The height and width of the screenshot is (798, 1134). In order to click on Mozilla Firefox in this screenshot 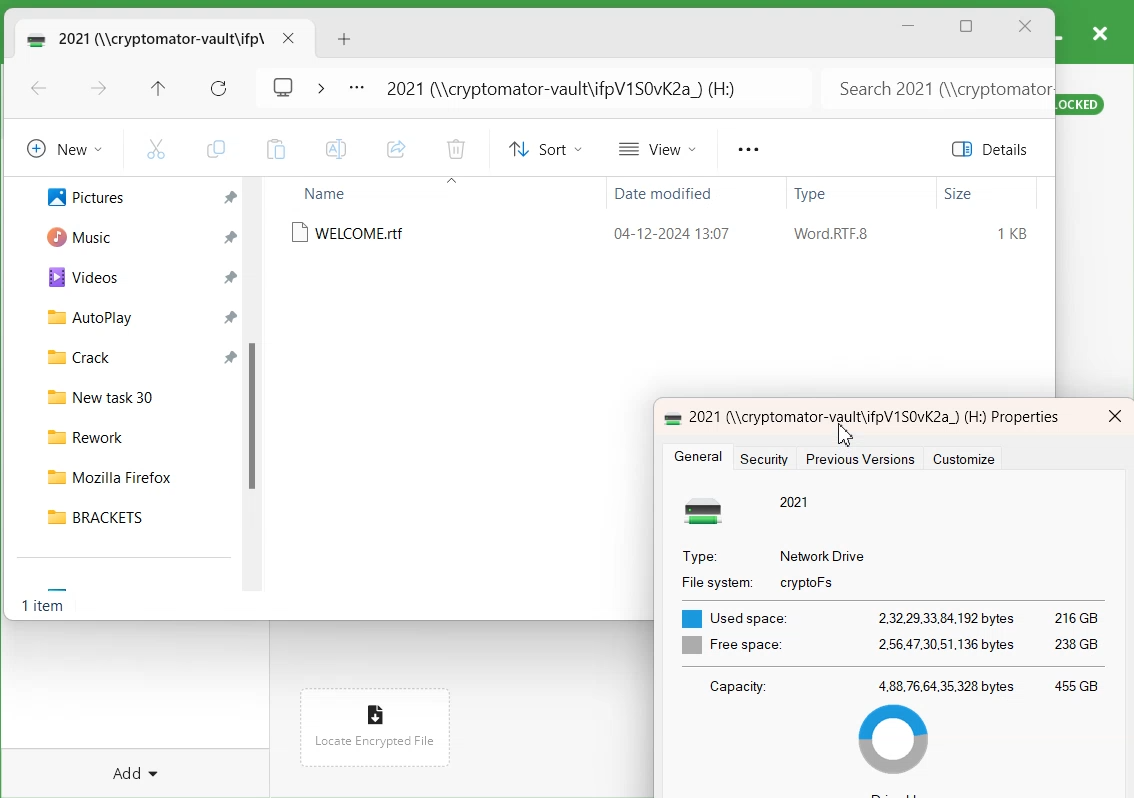, I will do `click(131, 473)`.